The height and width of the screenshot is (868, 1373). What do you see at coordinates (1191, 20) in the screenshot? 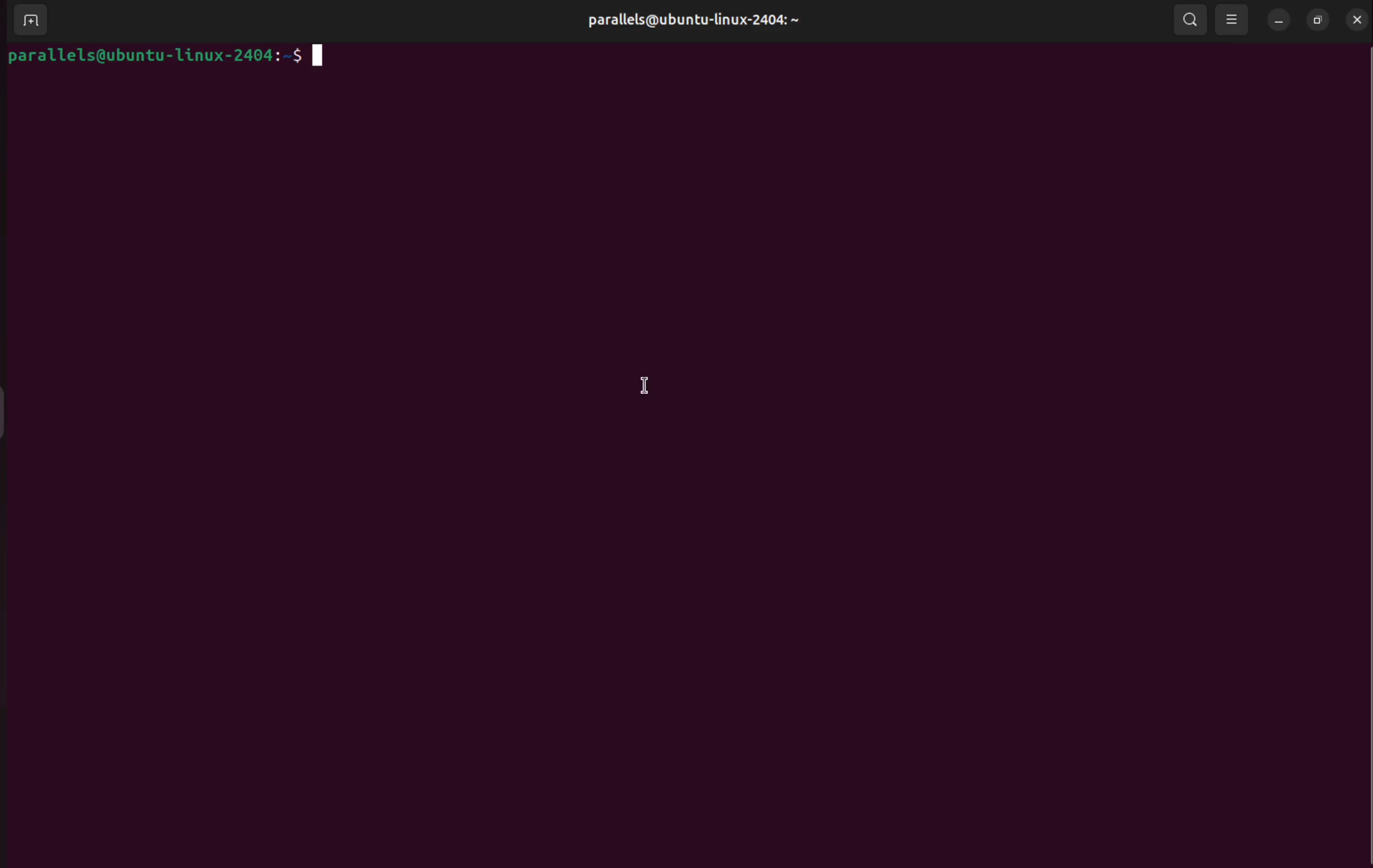
I see `search` at bounding box center [1191, 20].